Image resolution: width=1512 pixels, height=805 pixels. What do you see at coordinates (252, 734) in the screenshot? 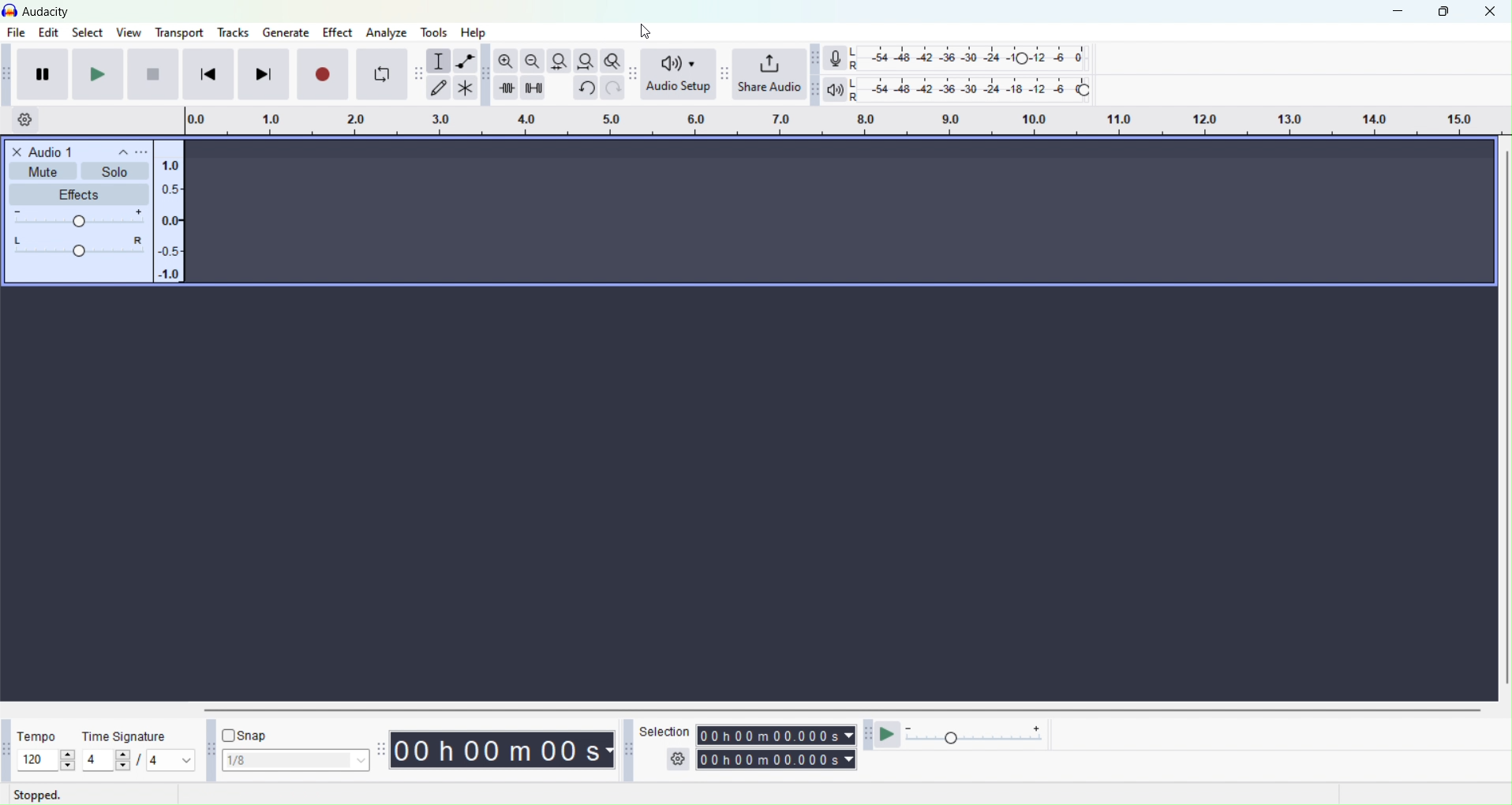
I see `Snap` at bounding box center [252, 734].